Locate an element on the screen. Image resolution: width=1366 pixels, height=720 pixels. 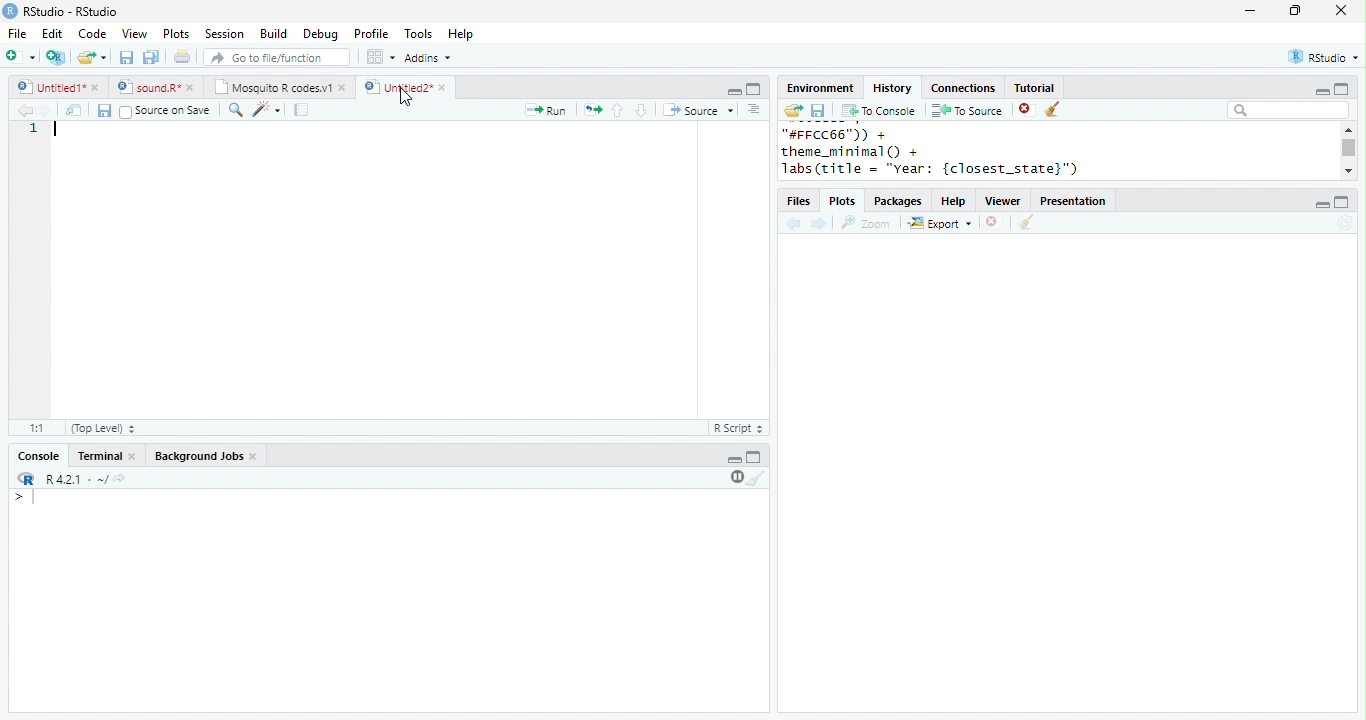
close is located at coordinates (1341, 10).